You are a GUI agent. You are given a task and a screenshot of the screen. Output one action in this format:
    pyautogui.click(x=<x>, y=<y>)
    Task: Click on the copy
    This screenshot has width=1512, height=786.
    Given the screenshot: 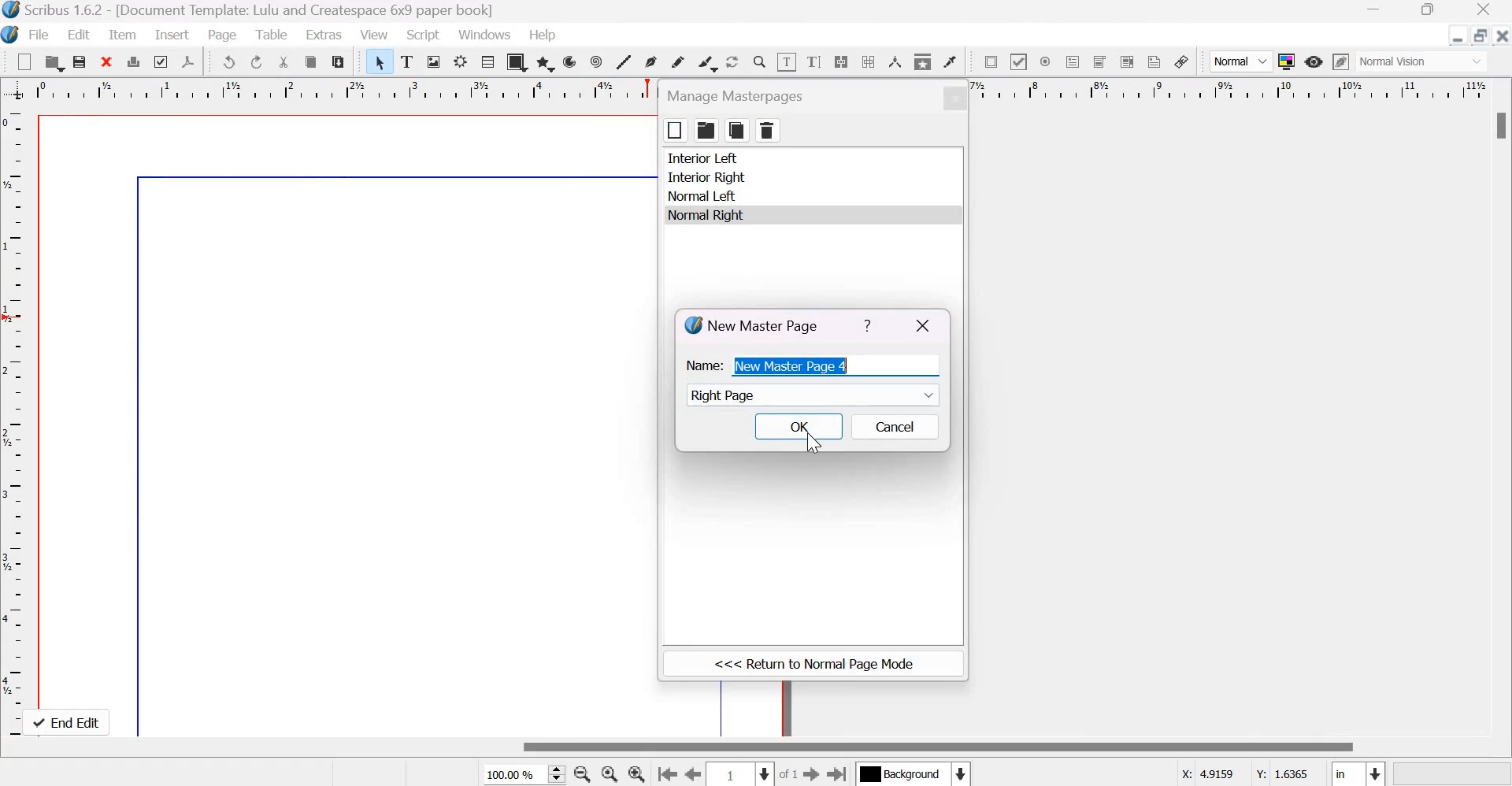 What is the action you would take?
    pyautogui.click(x=312, y=62)
    